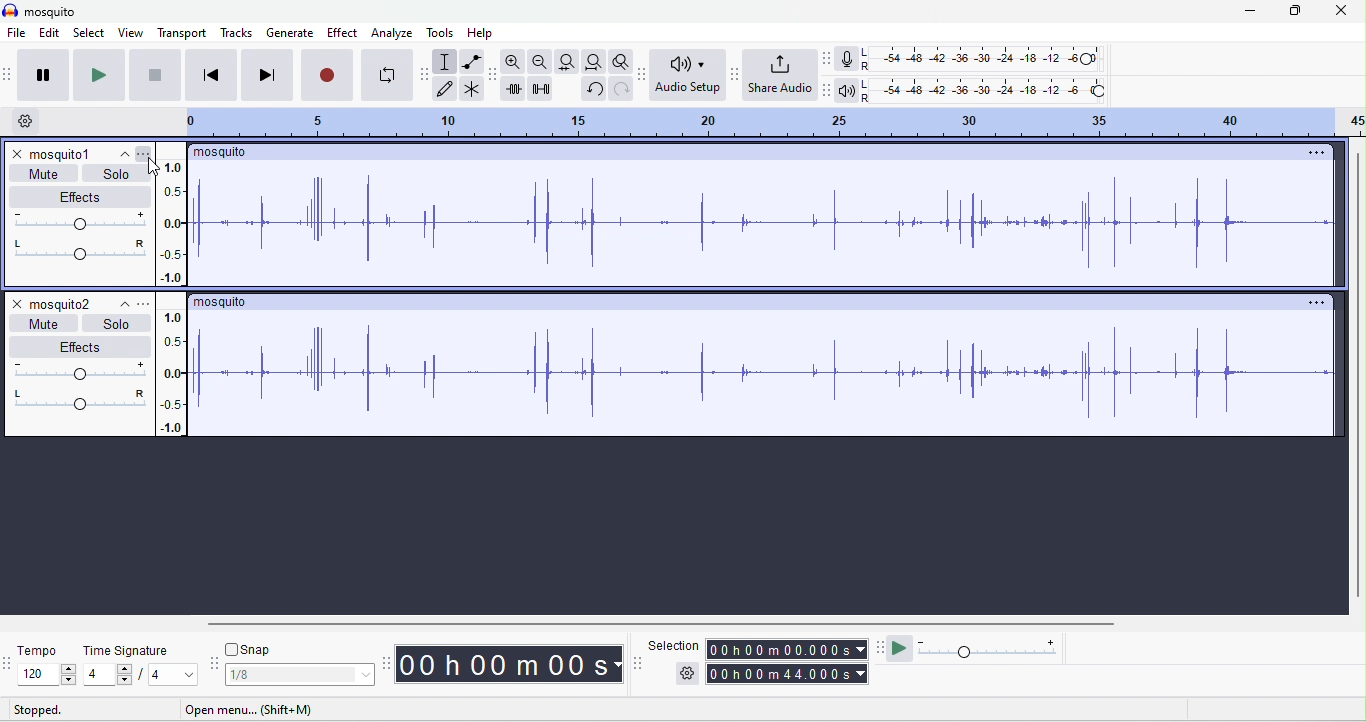  What do you see at coordinates (441, 32) in the screenshot?
I see `tools` at bounding box center [441, 32].